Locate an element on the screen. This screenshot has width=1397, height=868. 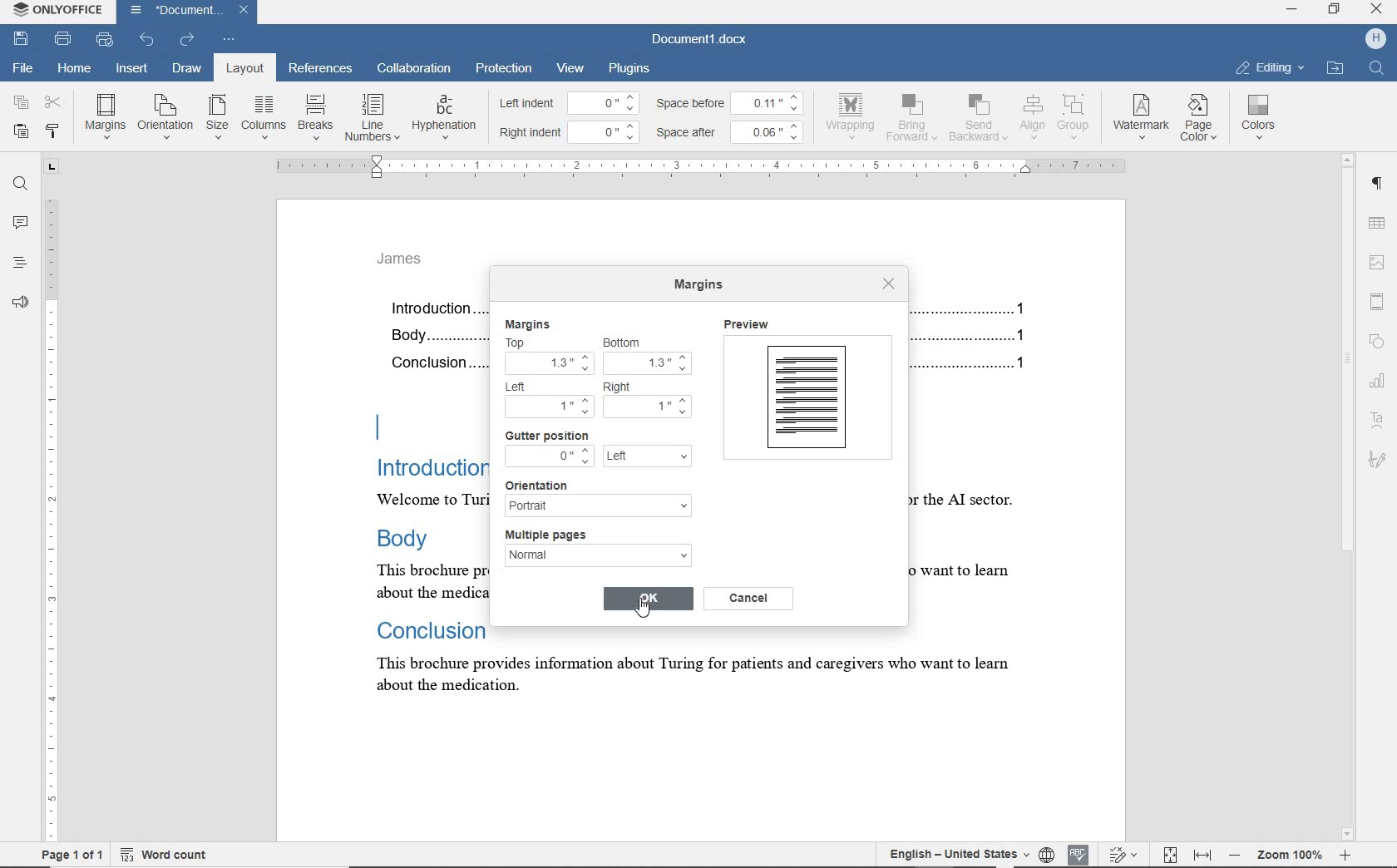
protection is located at coordinates (503, 67).